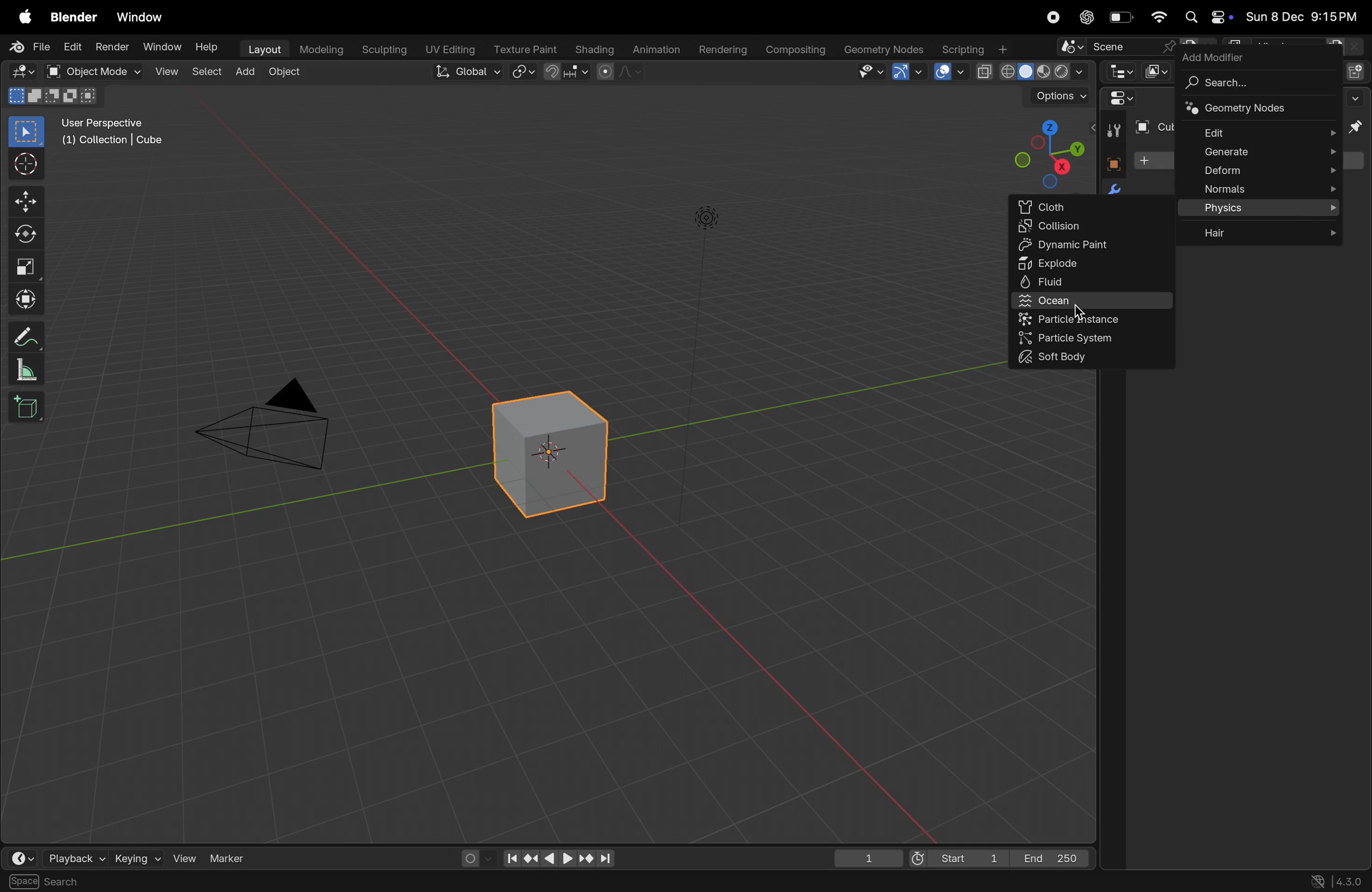  I want to click on Genrate, so click(1258, 152).